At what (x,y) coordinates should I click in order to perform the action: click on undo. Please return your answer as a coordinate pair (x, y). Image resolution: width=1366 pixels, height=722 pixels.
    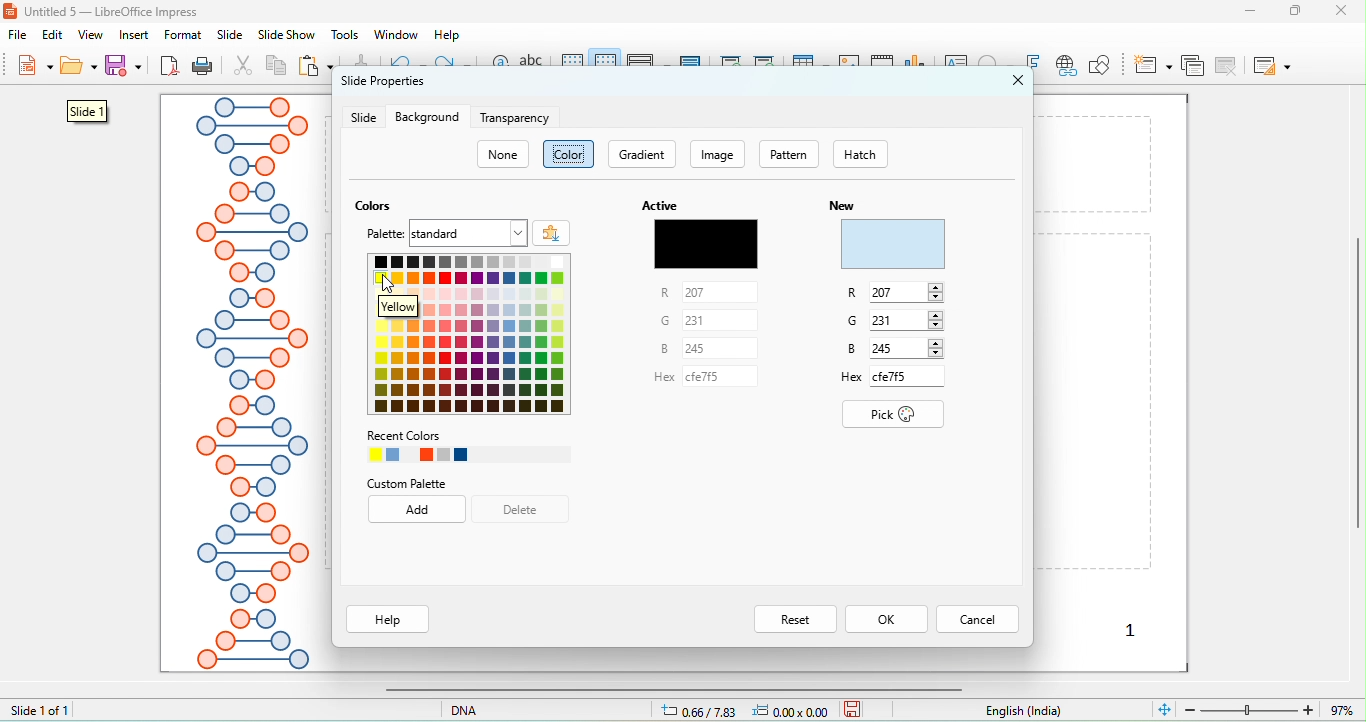
    Looking at the image, I should click on (407, 63).